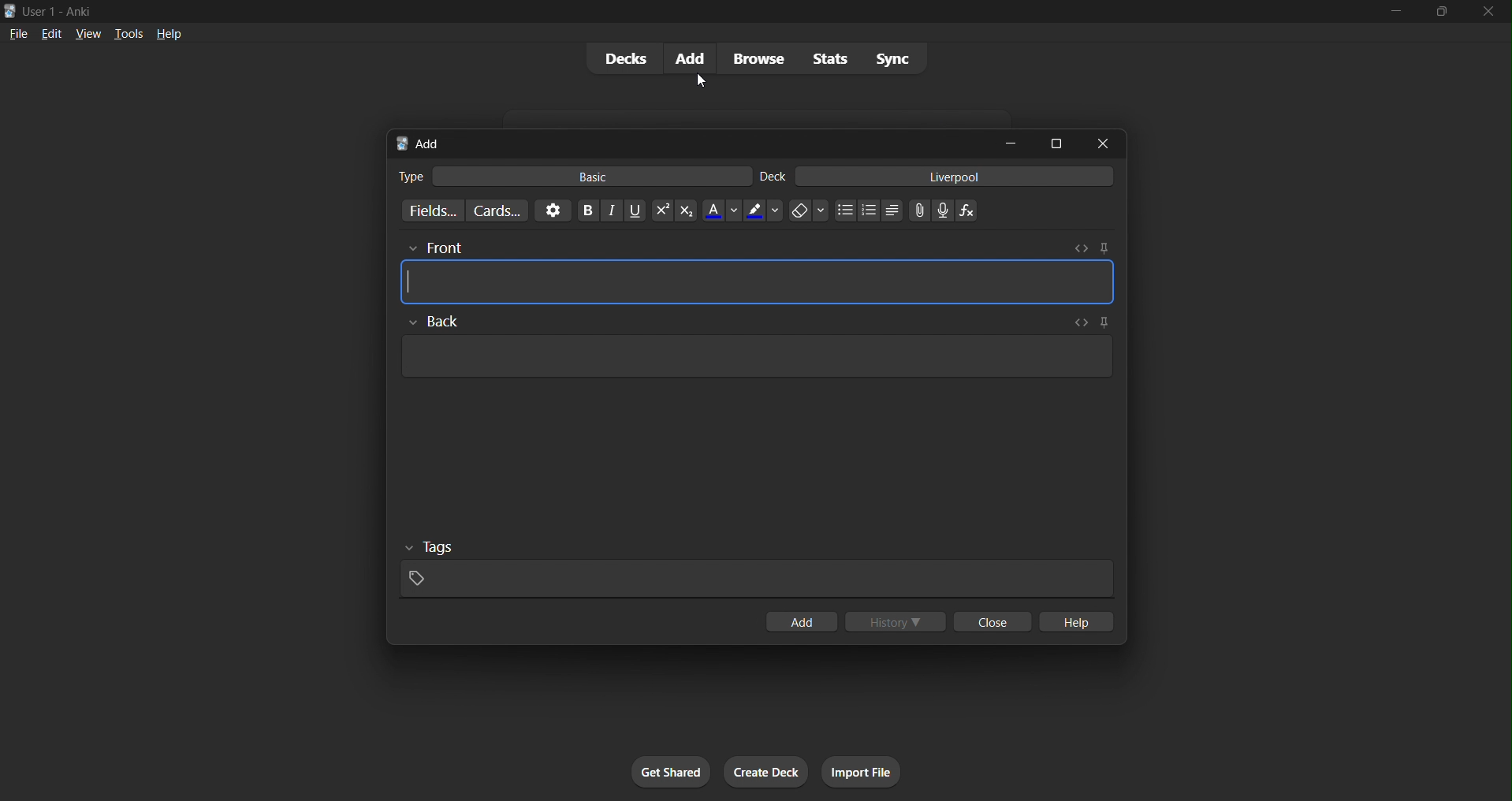 The width and height of the screenshot is (1512, 801). Describe the element at coordinates (685, 59) in the screenshot. I see `add` at that location.